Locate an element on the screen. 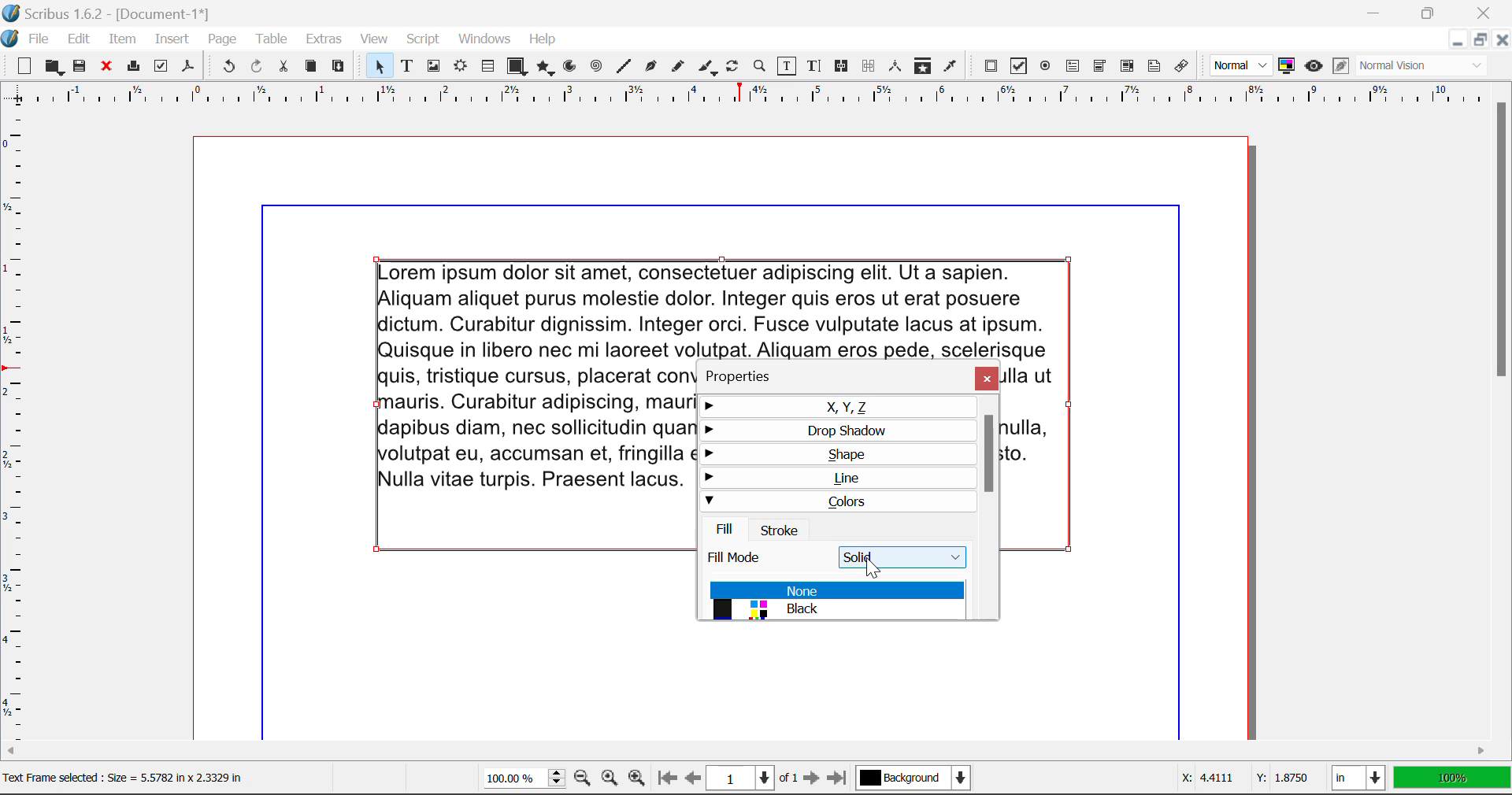  Measurement Units is located at coordinates (1360, 780).